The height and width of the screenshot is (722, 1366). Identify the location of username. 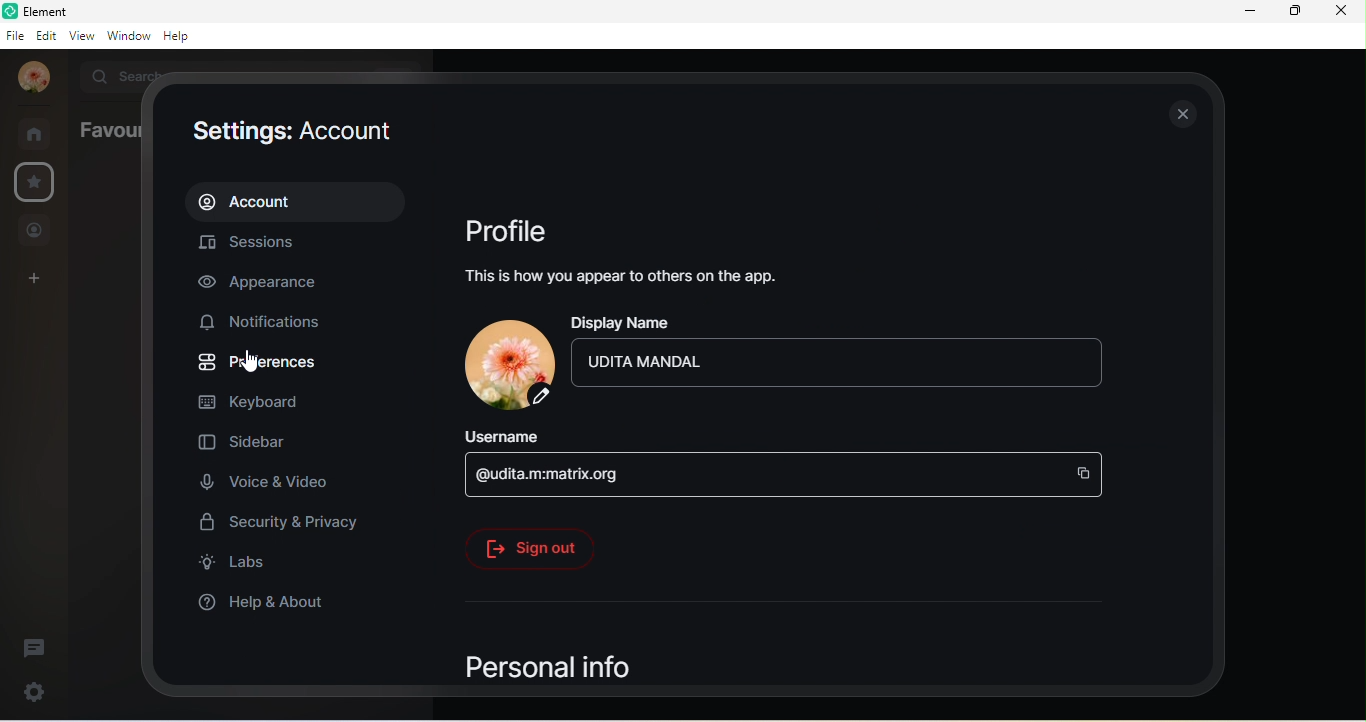
(557, 437).